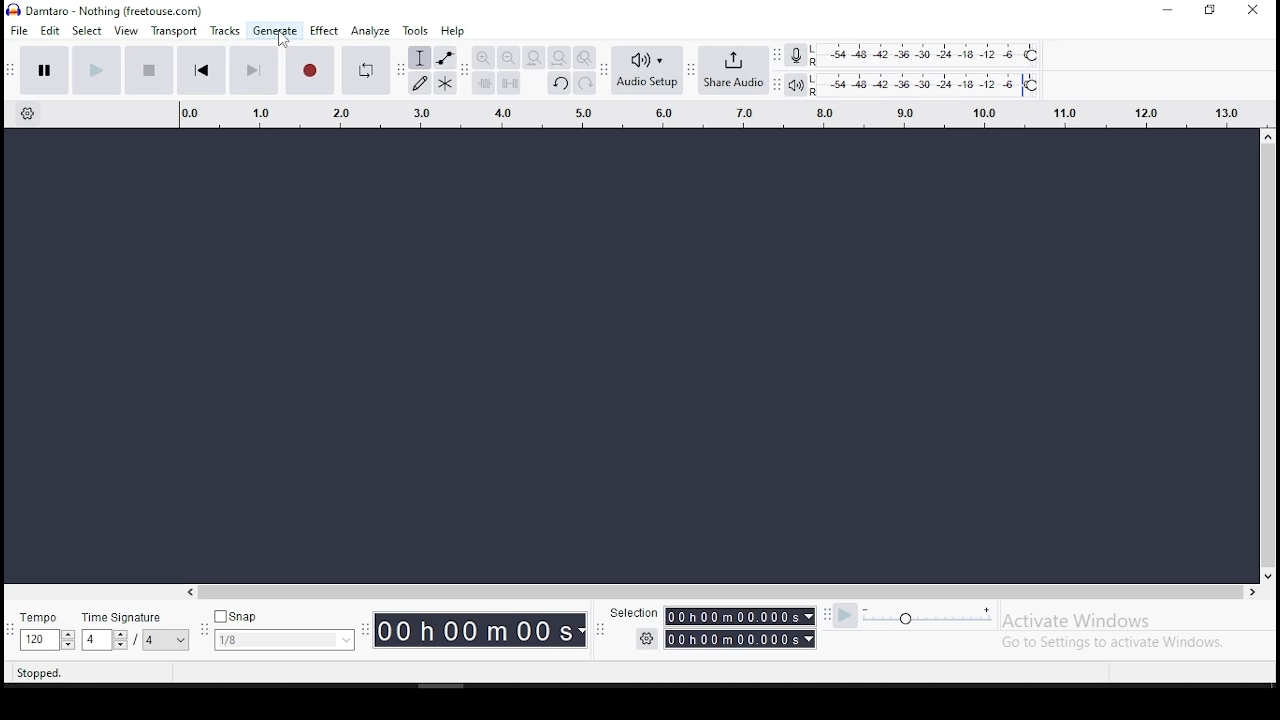  Describe the element at coordinates (741, 71) in the screenshot. I see `share audio` at that location.